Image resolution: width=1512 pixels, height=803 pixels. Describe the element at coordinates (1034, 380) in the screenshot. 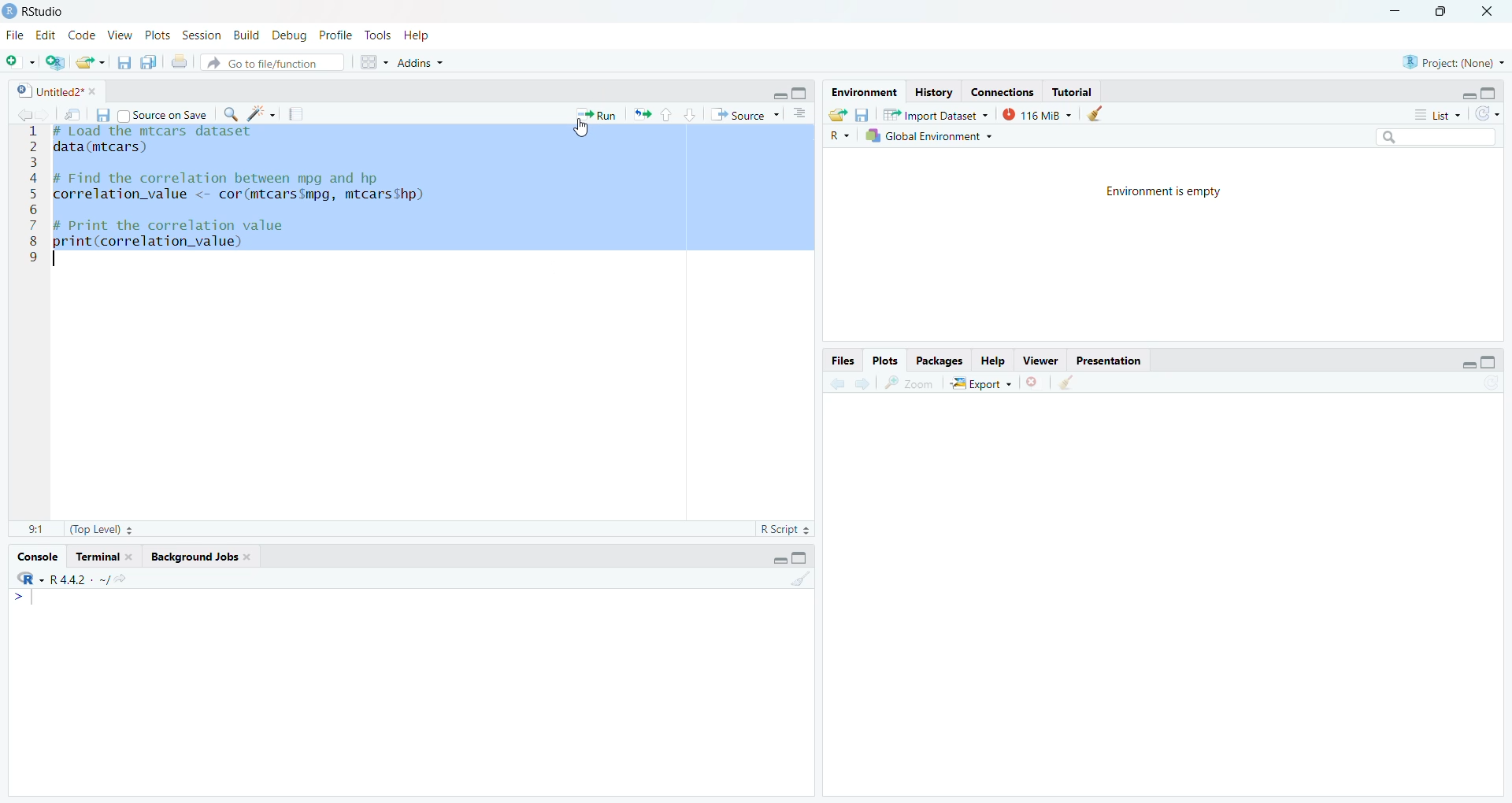

I see `Close` at that location.